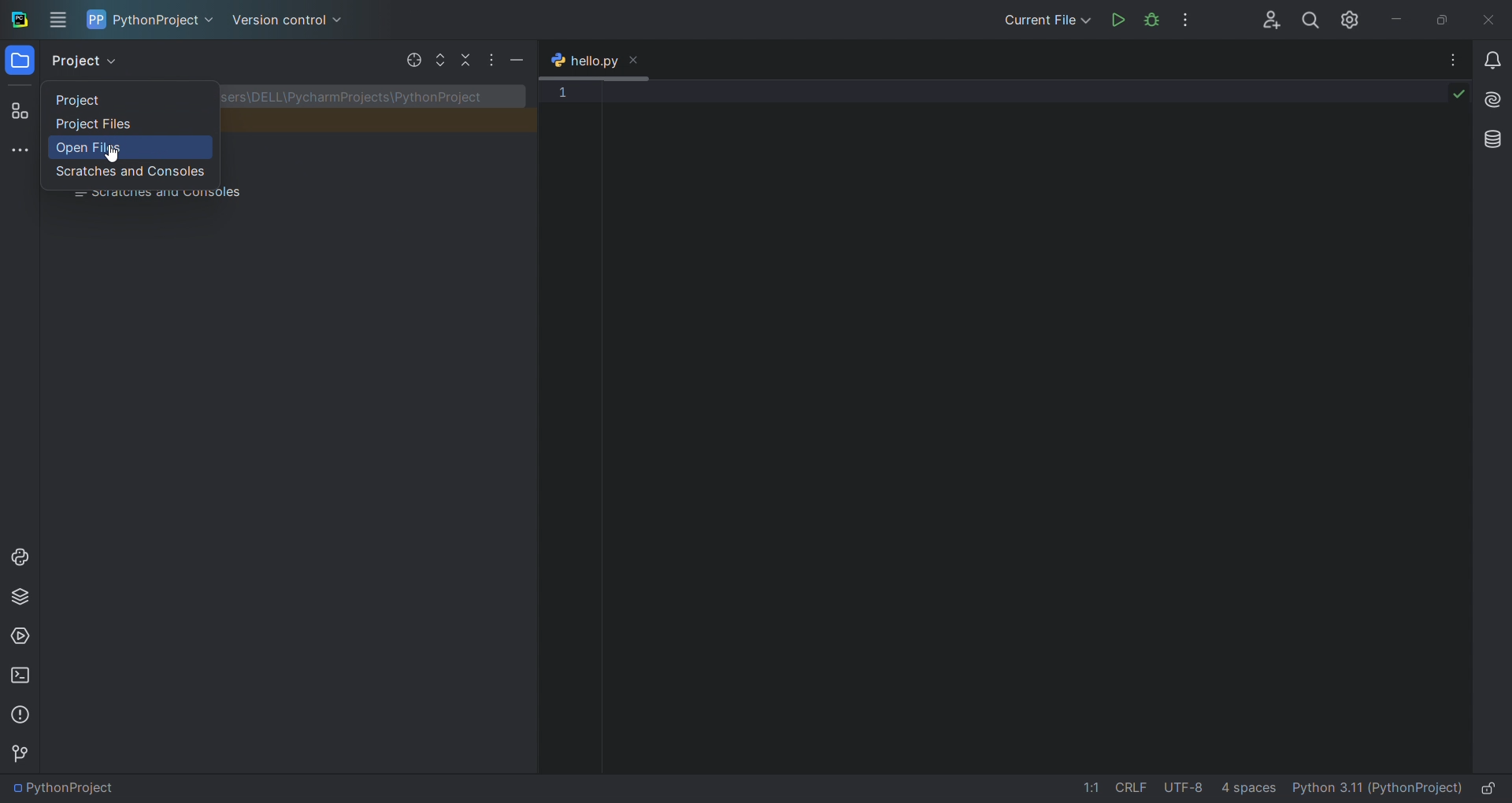 The width and height of the screenshot is (1512, 803). What do you see at coordinates (1494, 786) in the screenshot?
I see `lock` at bounding box center [1494, 786].